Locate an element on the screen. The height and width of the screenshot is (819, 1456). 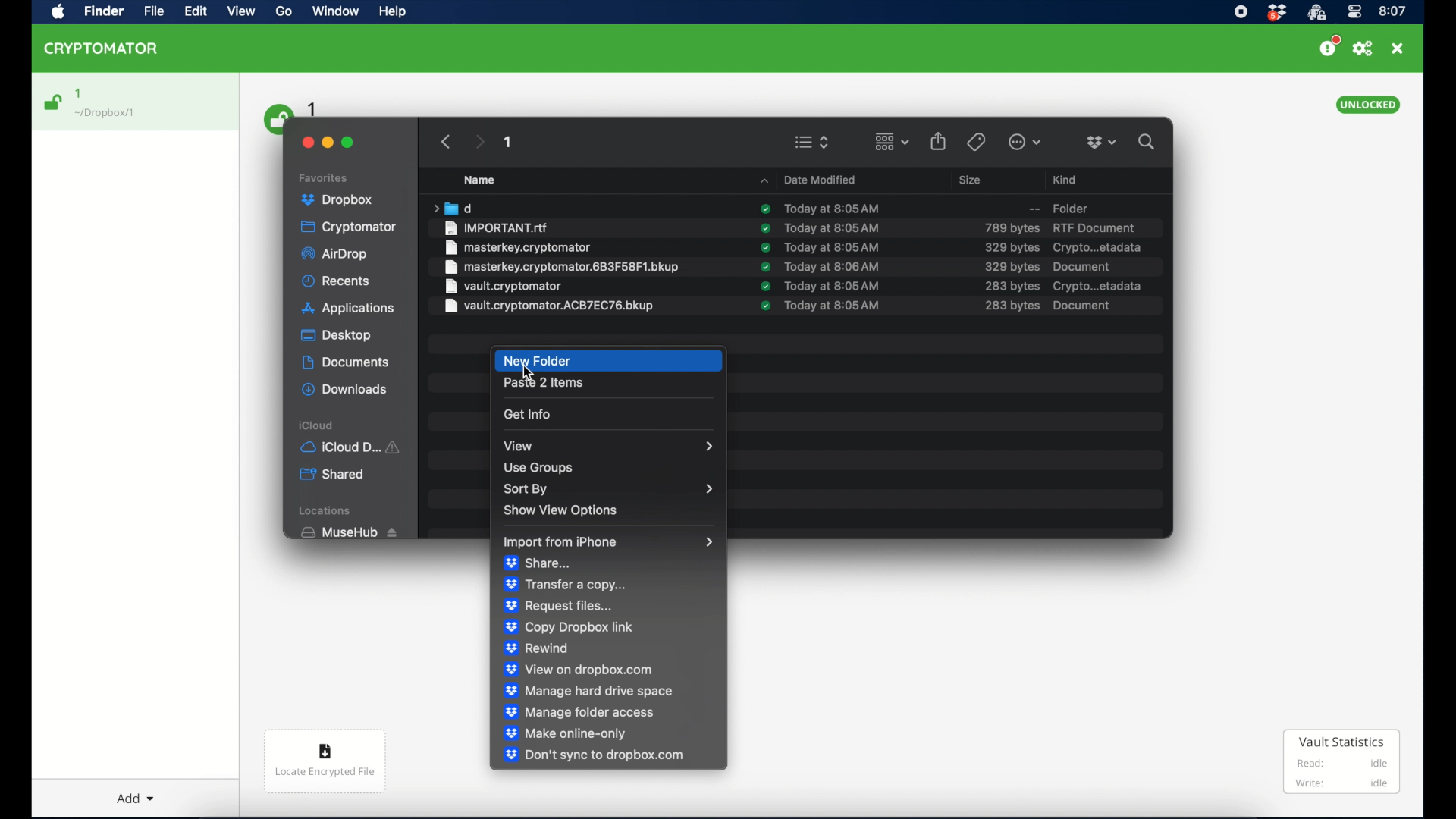
import from iPhone menu is located at coordinates (610, 543).